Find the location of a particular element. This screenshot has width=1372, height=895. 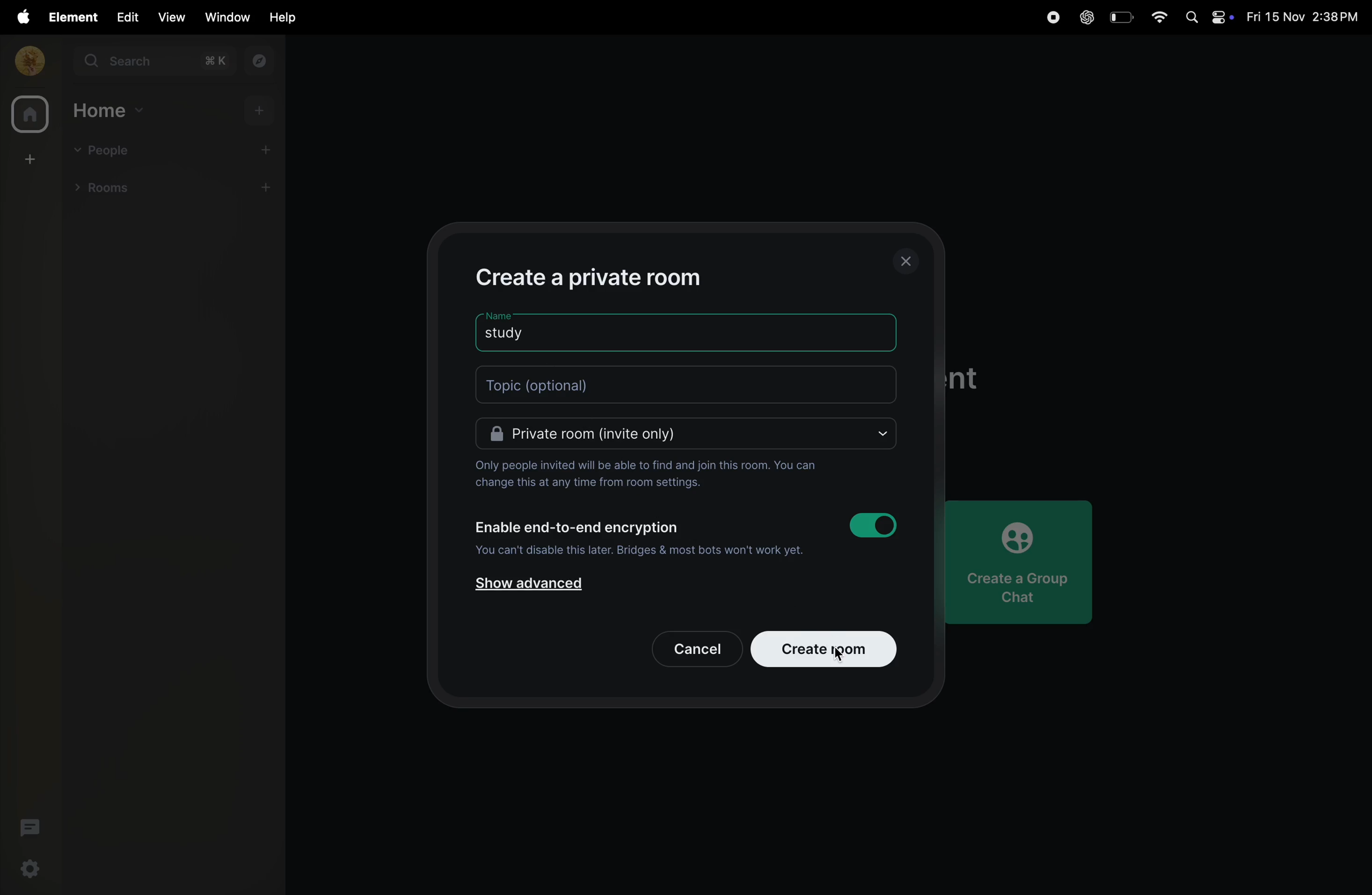

wifi is located at coordinates (1155, 16).